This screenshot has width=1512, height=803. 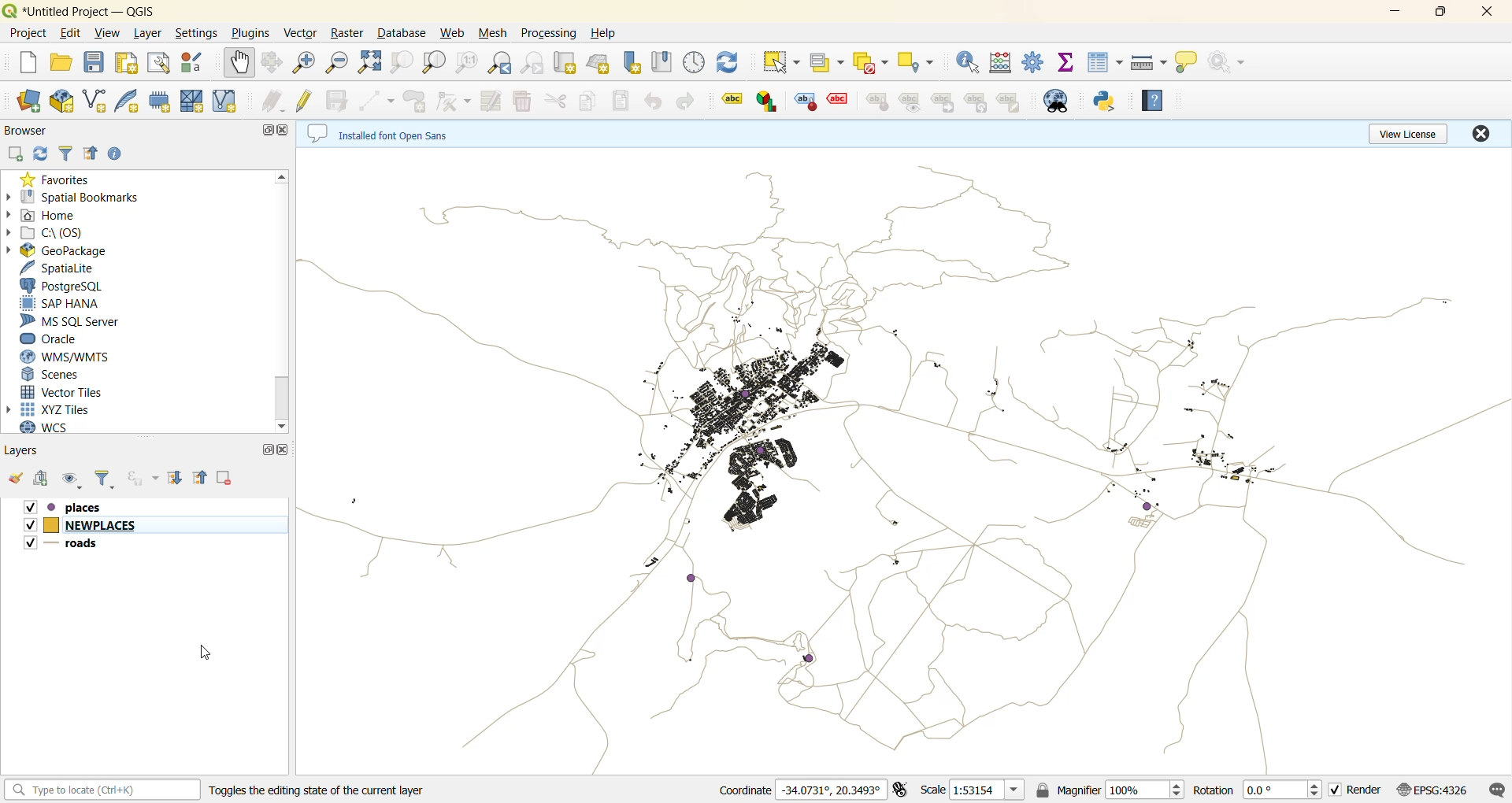 I want to click on wcs, so click(x=53, y=429).